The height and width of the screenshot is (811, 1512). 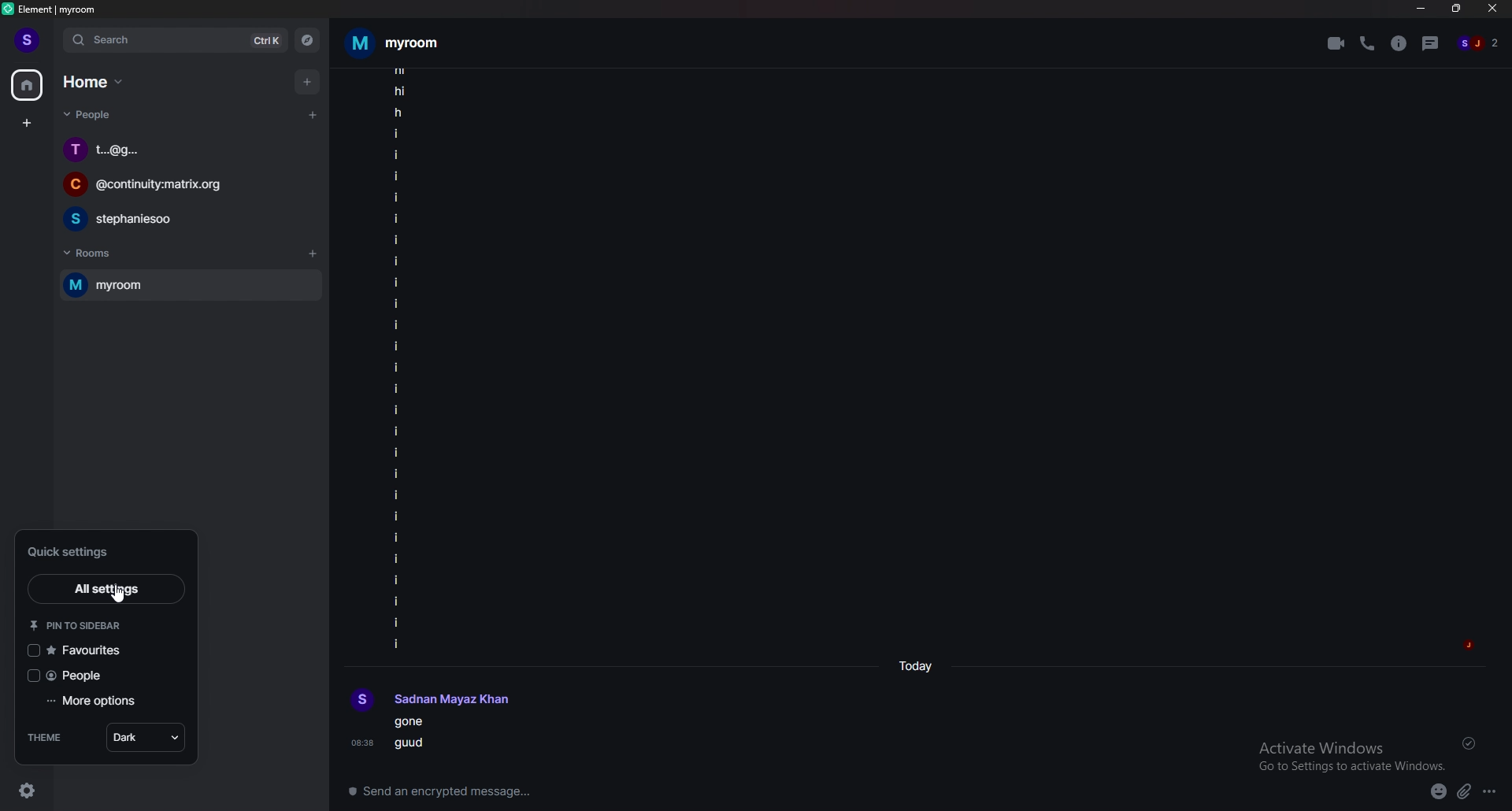 What do you see at coordinates (1480, 44) in the screenshot?
I see `people` at bounding box center [1480, 44].